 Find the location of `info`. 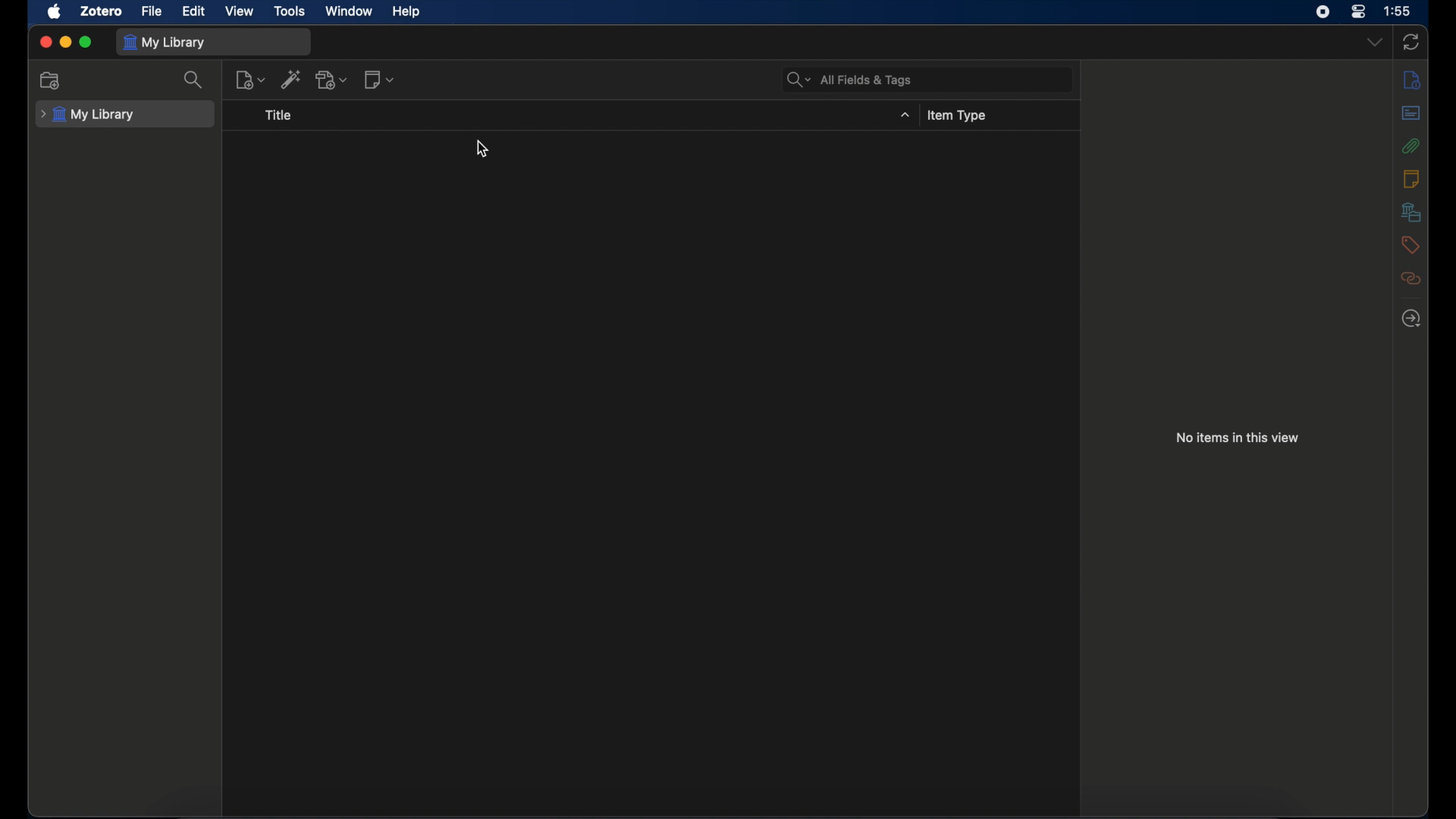

info is located at coordinates (1411, 79).